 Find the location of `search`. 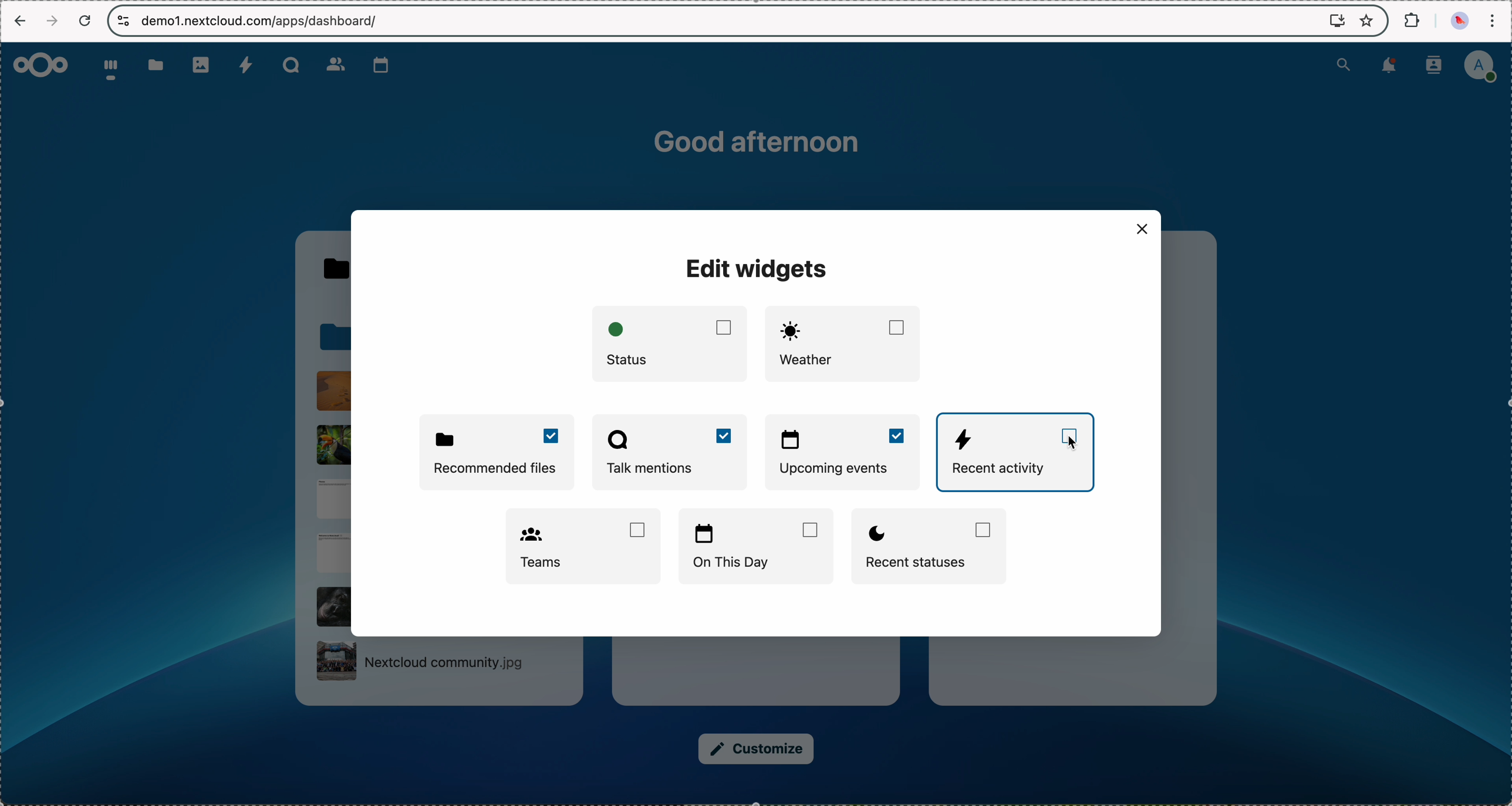

search is located at coordinates (1345, 64).